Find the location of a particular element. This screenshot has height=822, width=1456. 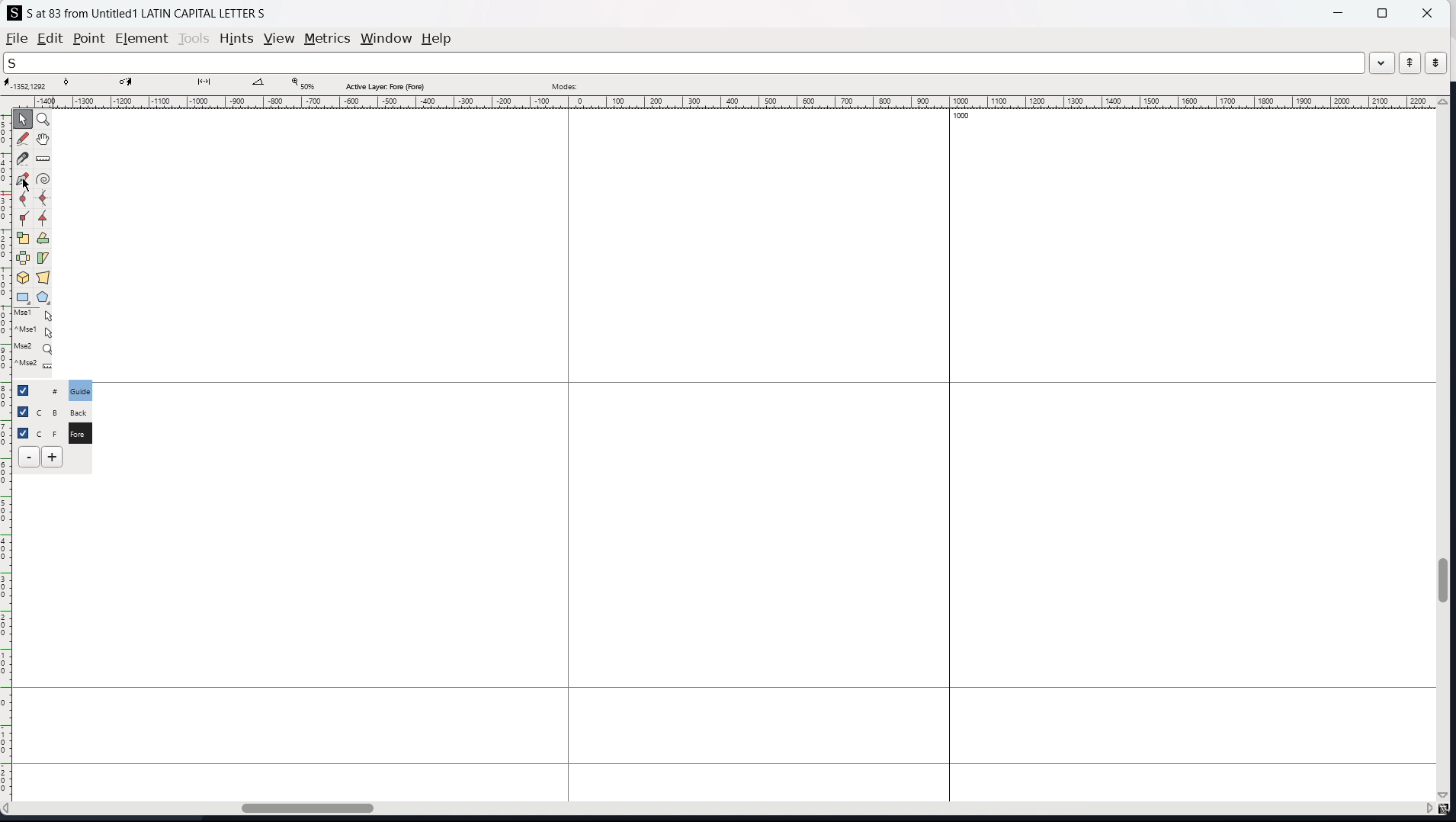

C F Fore is located at coordinates (79, 432).